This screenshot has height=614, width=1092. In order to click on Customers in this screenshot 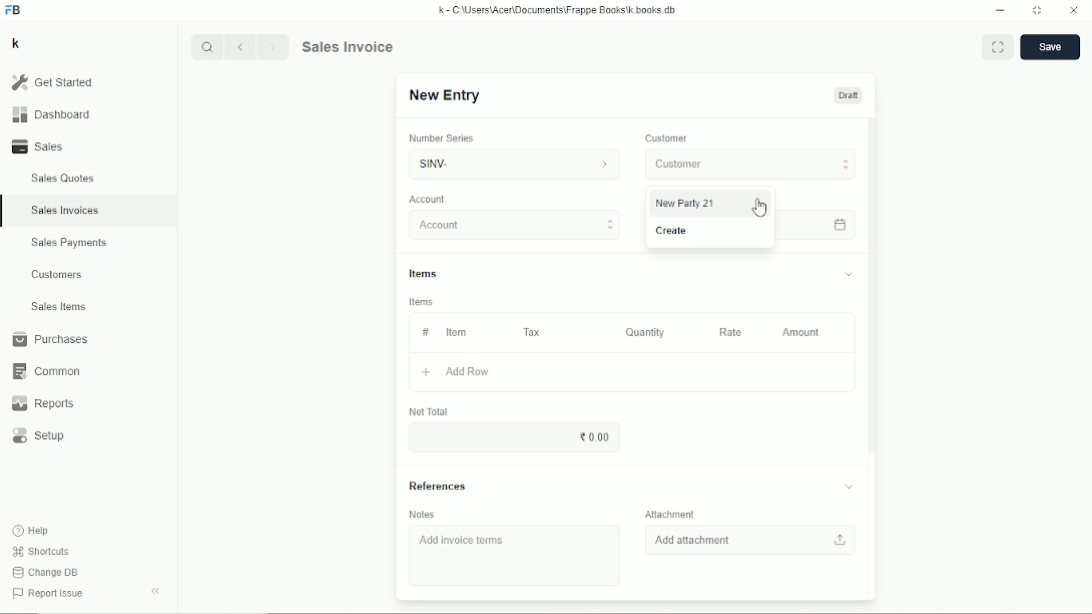, I will do `click(58, 274)`.